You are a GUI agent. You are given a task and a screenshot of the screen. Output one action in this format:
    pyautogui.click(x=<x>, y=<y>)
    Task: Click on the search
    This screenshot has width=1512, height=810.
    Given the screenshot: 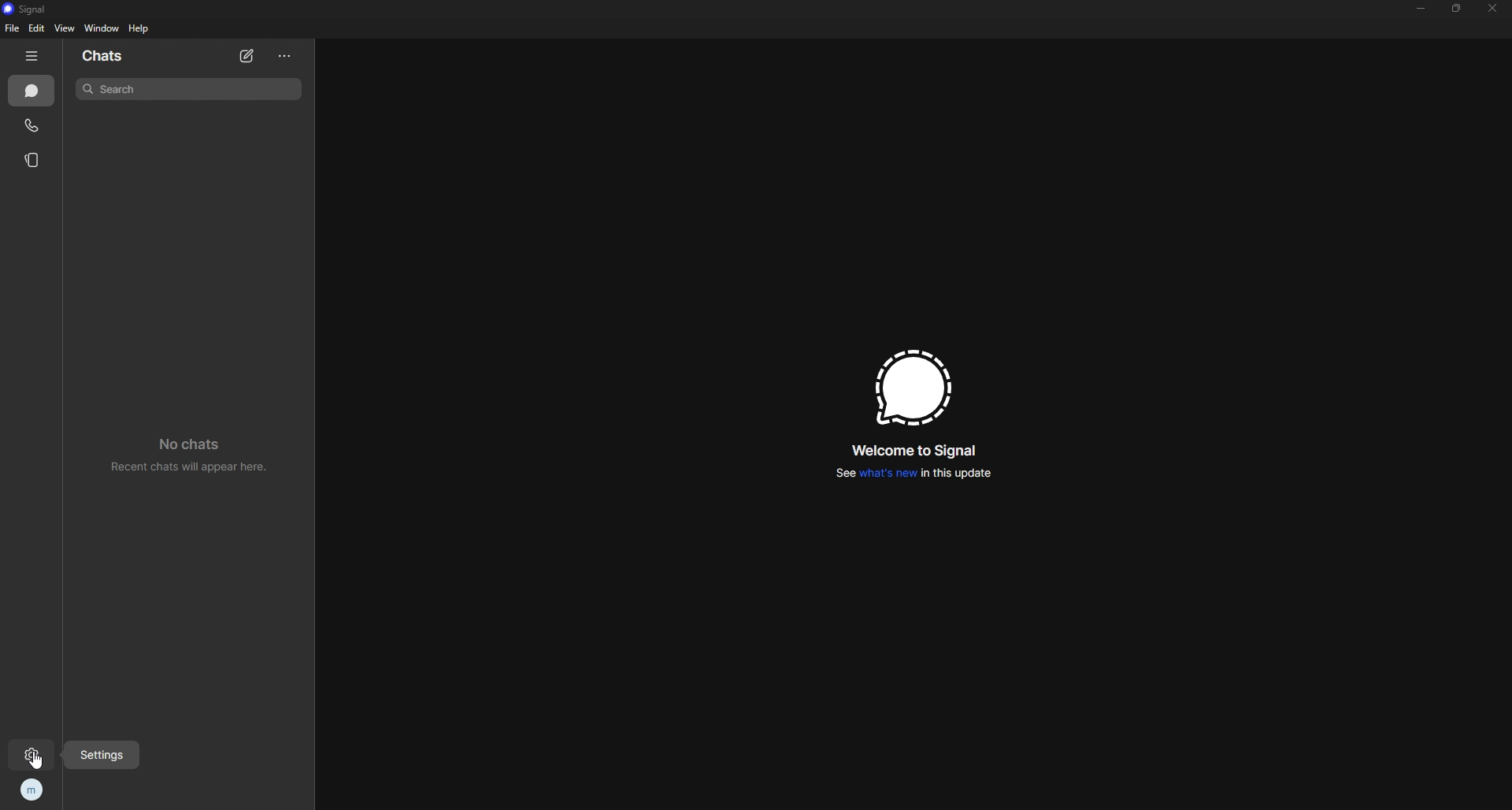 What is the action you would take?
    pyautogui.click(x=190, y=89)
    